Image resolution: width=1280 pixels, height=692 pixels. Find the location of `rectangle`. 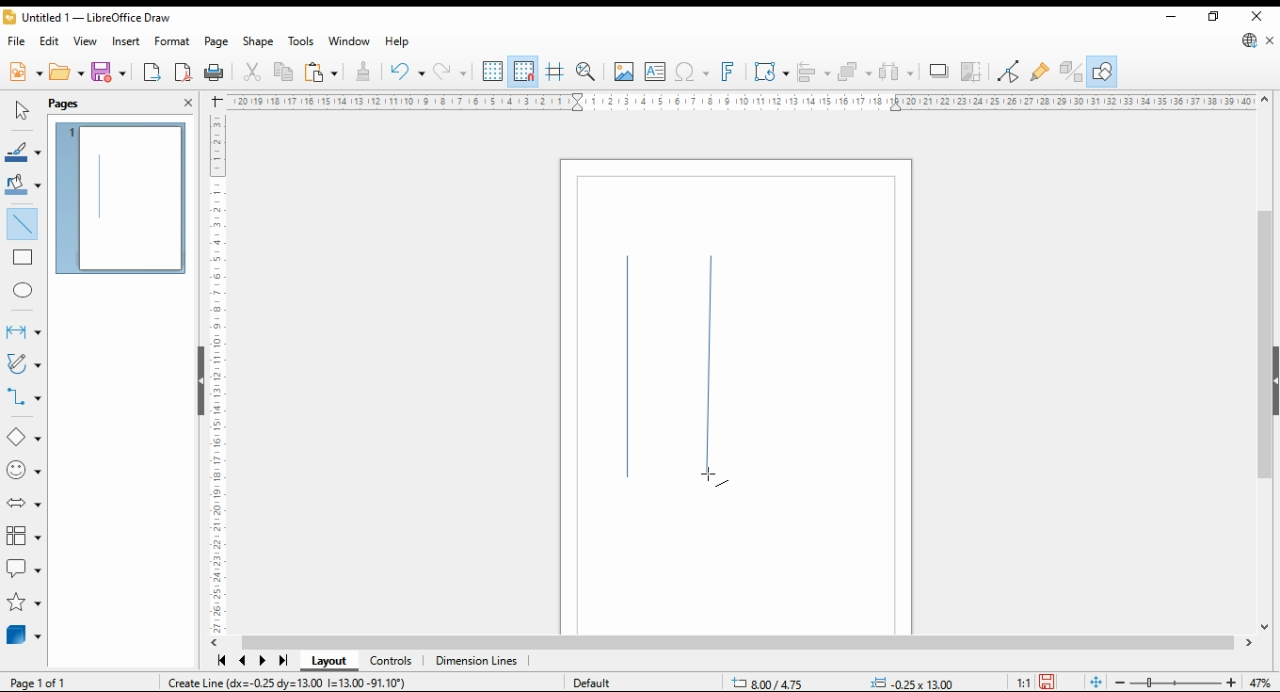

rectangle is located at coordinates (23, 259).